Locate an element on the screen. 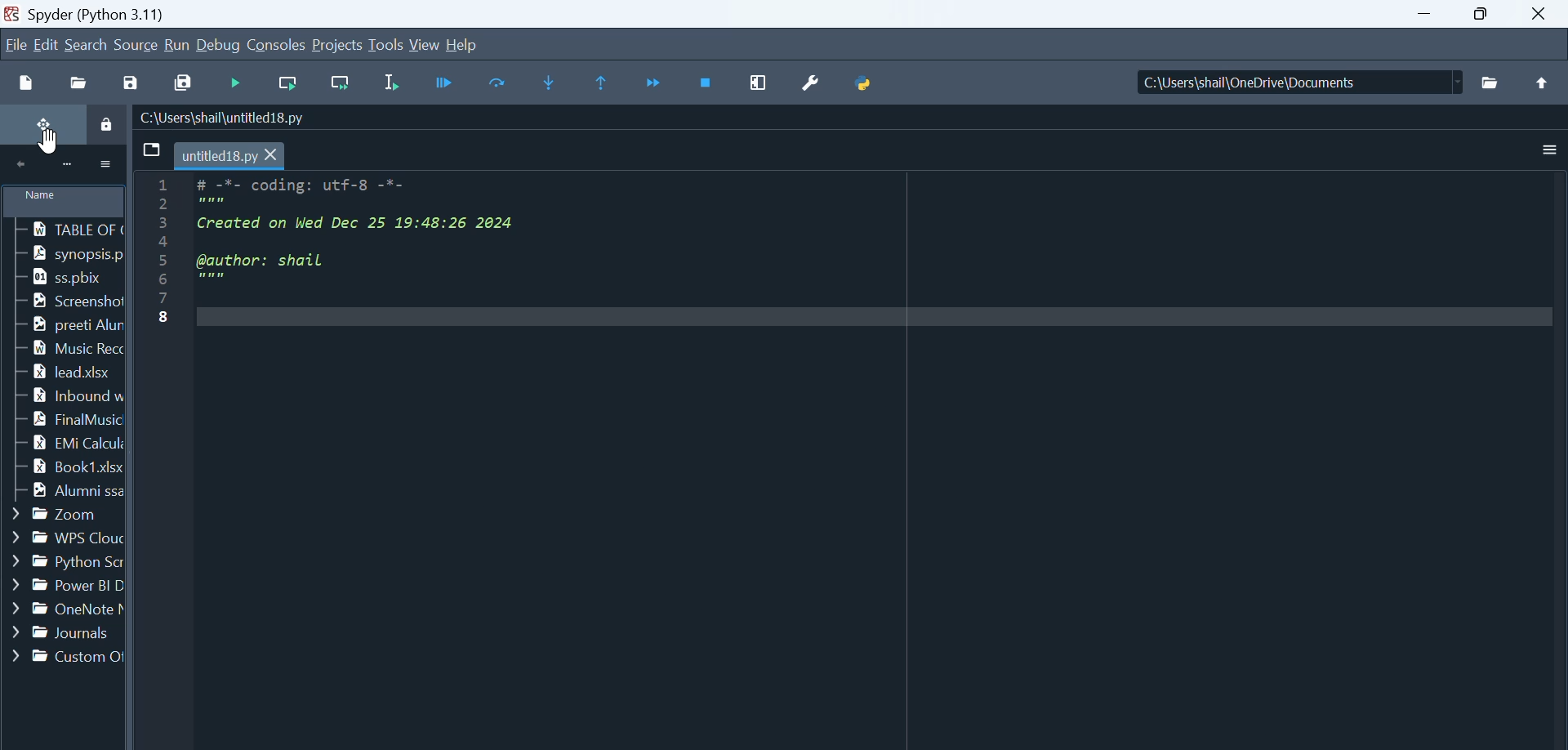 The height and width of the screenshot is (750, 1568). c:/users/shail/onedrive/document is located at coordinates (1285, 84).